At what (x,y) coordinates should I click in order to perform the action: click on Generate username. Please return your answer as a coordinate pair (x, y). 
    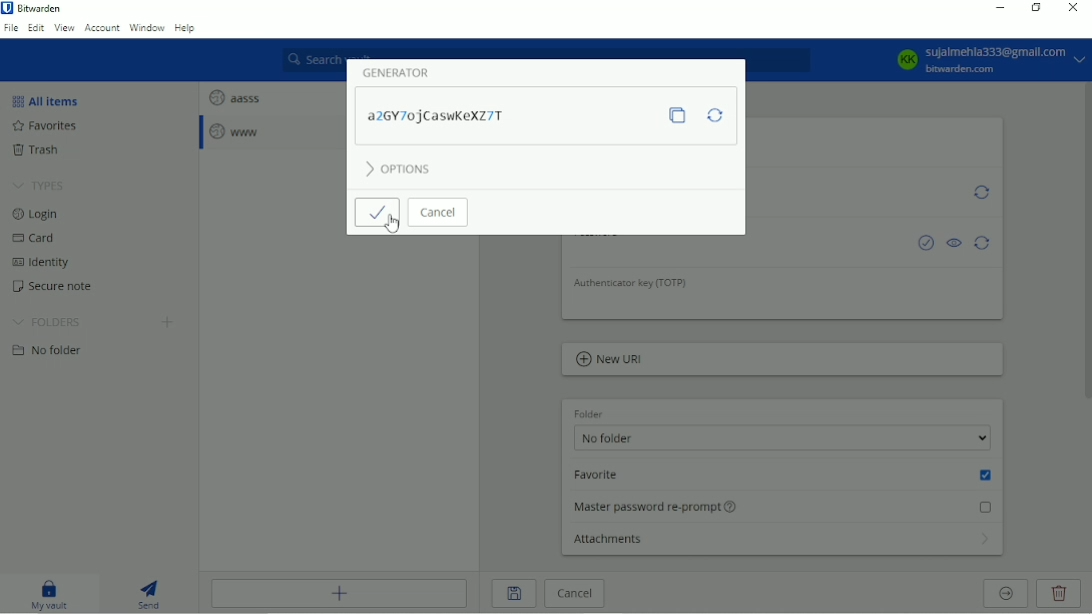
    Looking at the image, I should click on (983, 191).